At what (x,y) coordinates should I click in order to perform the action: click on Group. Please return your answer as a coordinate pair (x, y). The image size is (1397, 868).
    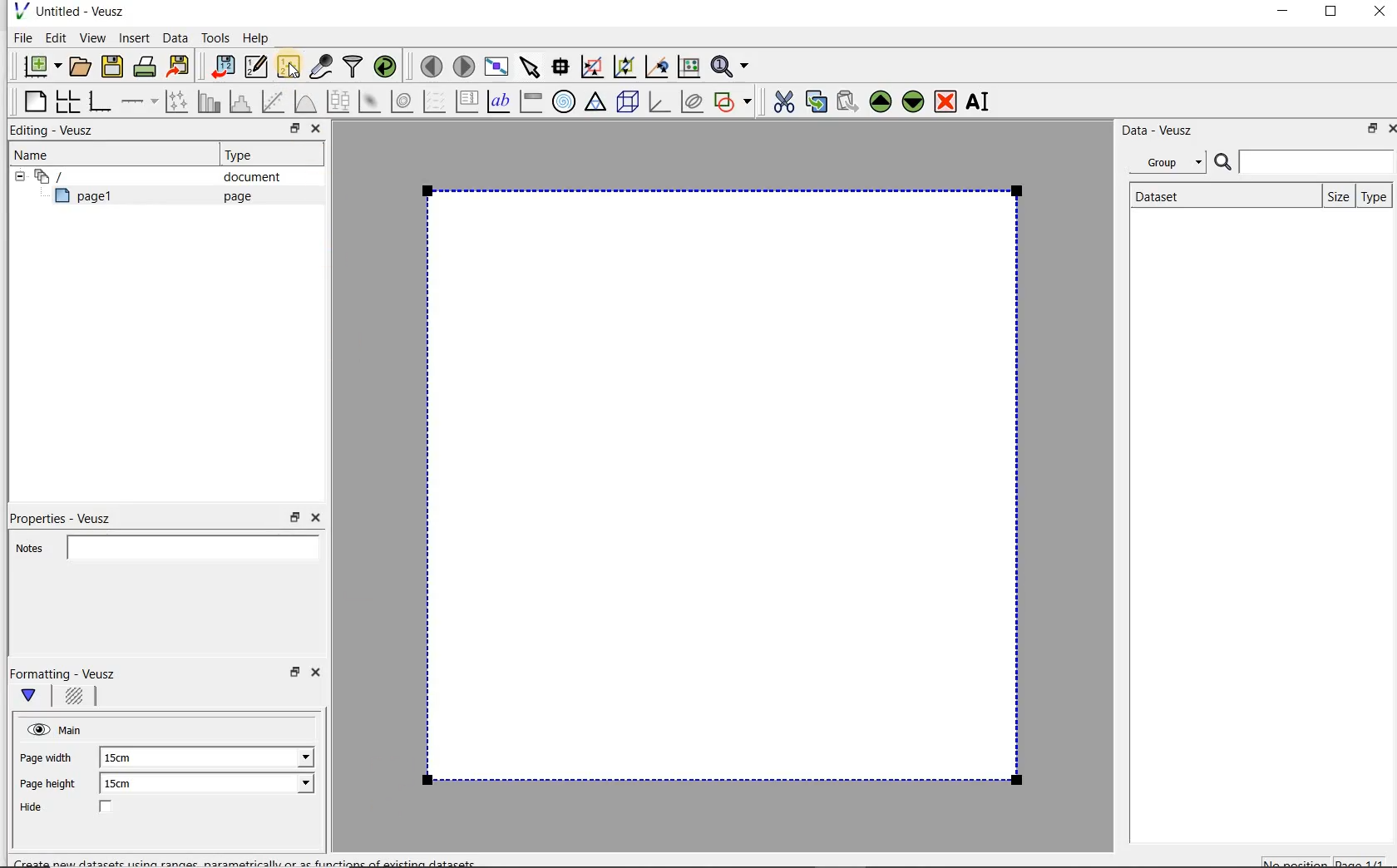
    Looking at the image, I should click on (1172, 165).